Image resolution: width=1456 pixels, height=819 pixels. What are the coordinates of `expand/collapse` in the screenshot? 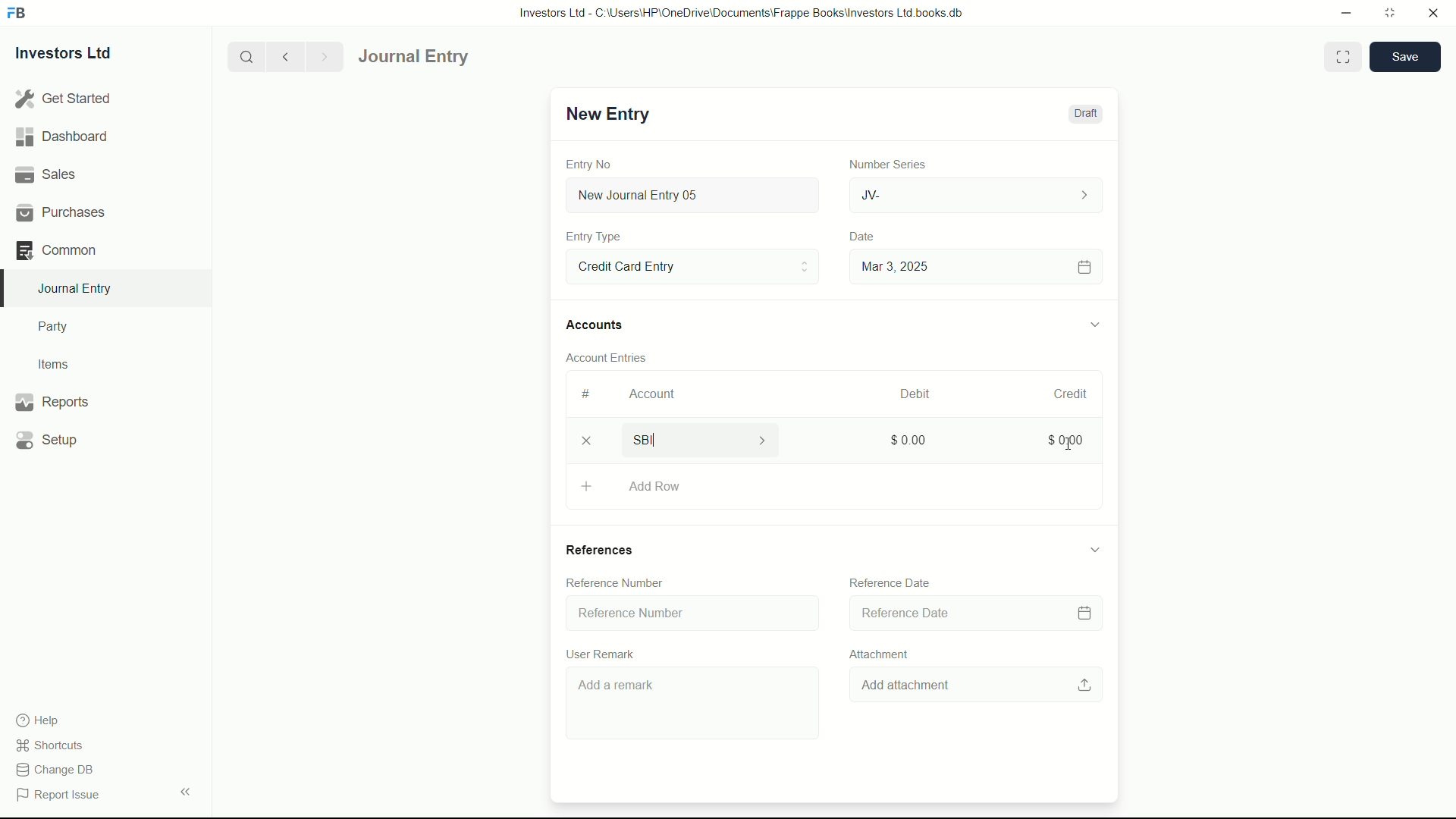 It's located at (1094, 549).